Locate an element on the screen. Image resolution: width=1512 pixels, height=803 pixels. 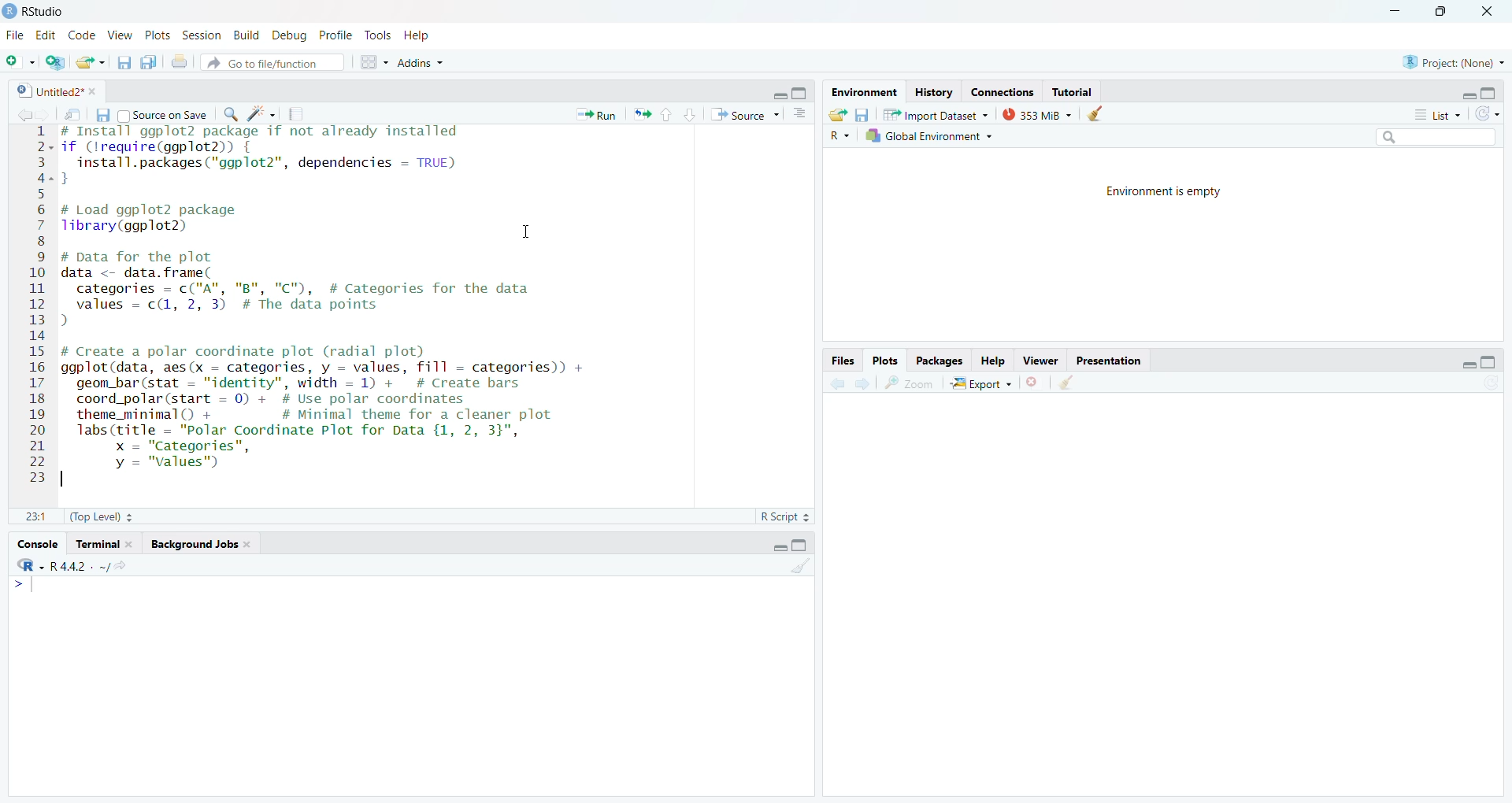
Code is located at coordinates (80, 36).